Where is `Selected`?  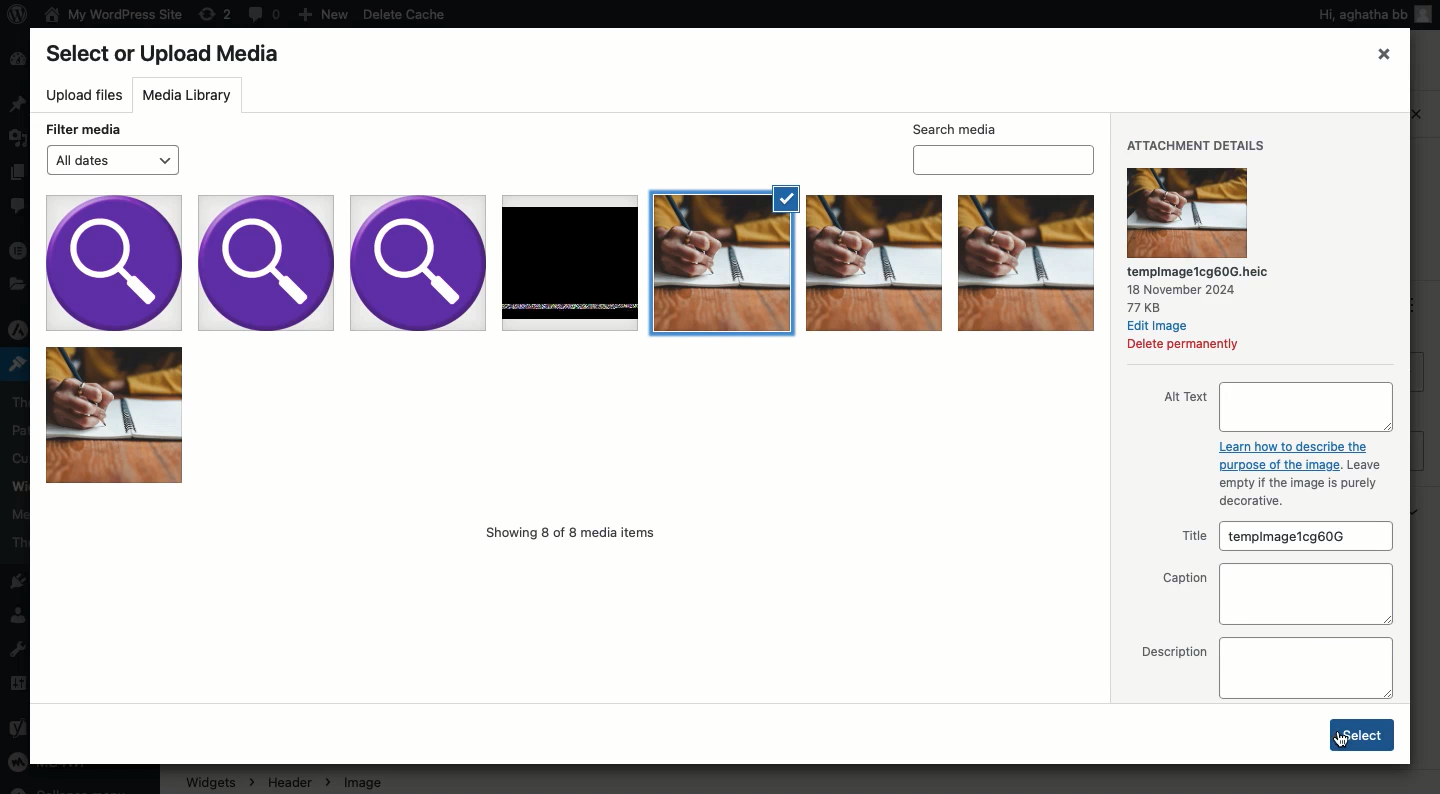 Selected is located at coordinates (783, 197).